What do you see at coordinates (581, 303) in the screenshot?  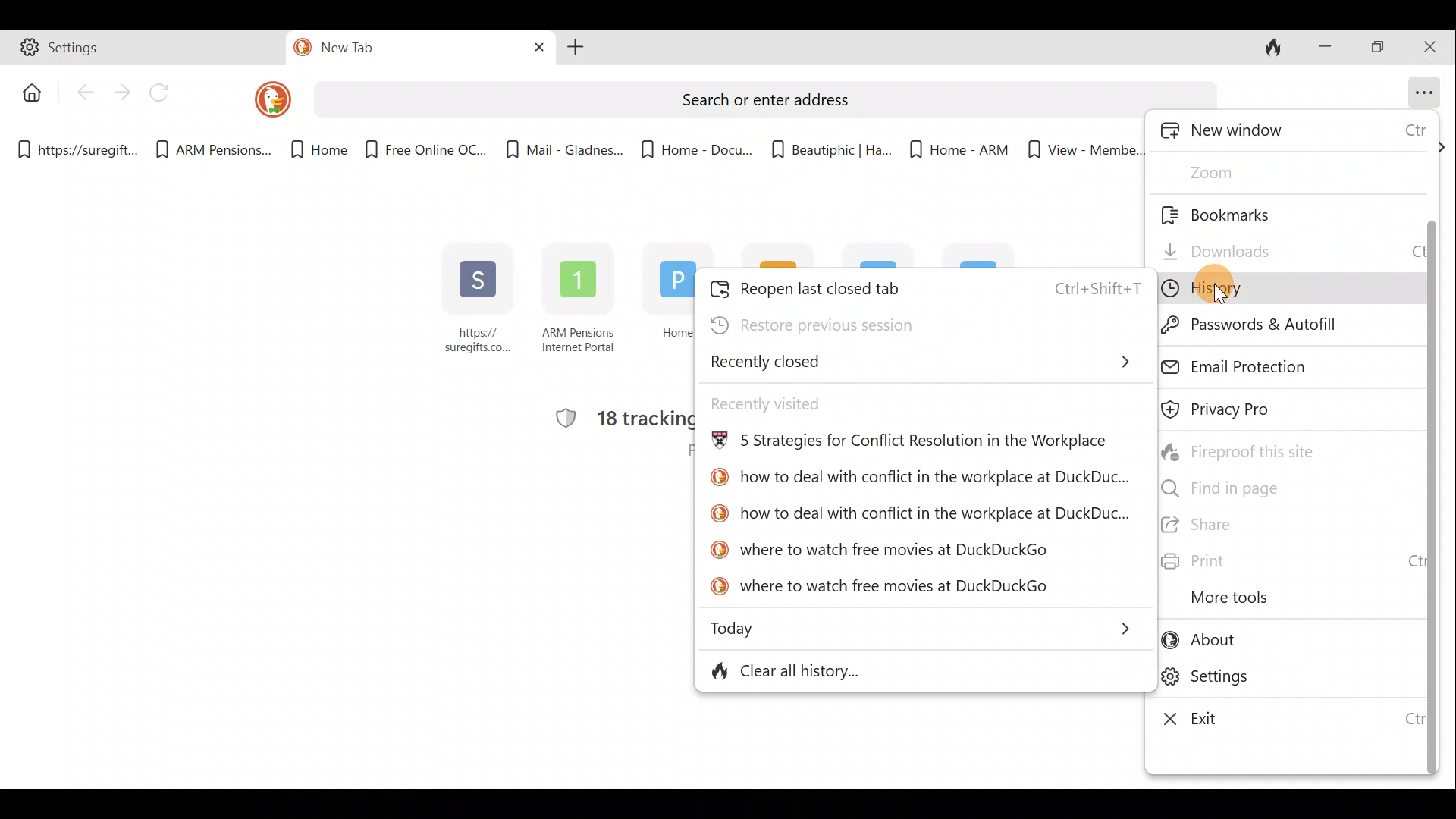 I see `ARM Pensions Internet Portal` at bounding box center [581, 303].